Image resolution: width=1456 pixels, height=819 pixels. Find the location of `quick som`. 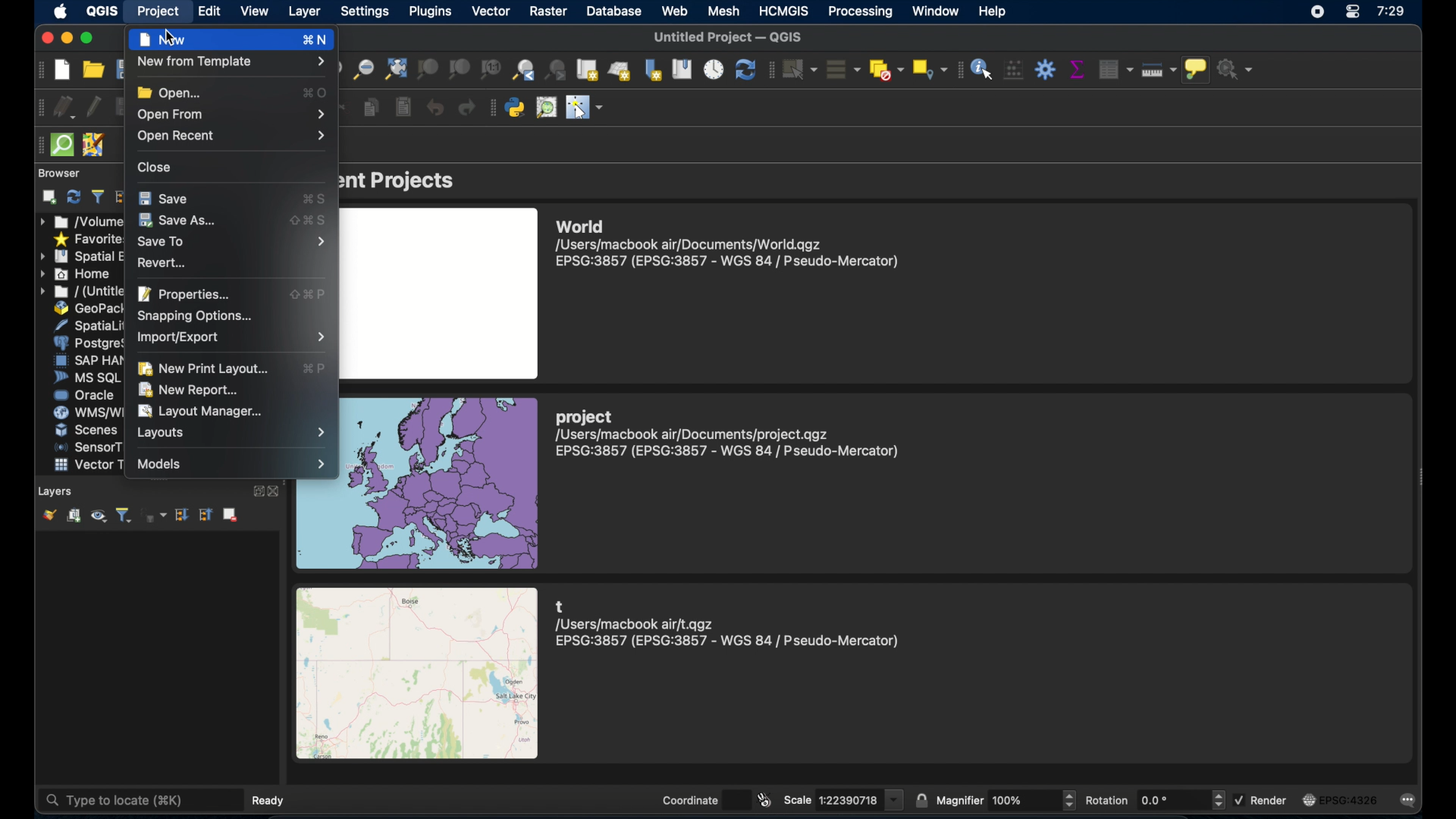

quick som is located at coordinates (62, 145).